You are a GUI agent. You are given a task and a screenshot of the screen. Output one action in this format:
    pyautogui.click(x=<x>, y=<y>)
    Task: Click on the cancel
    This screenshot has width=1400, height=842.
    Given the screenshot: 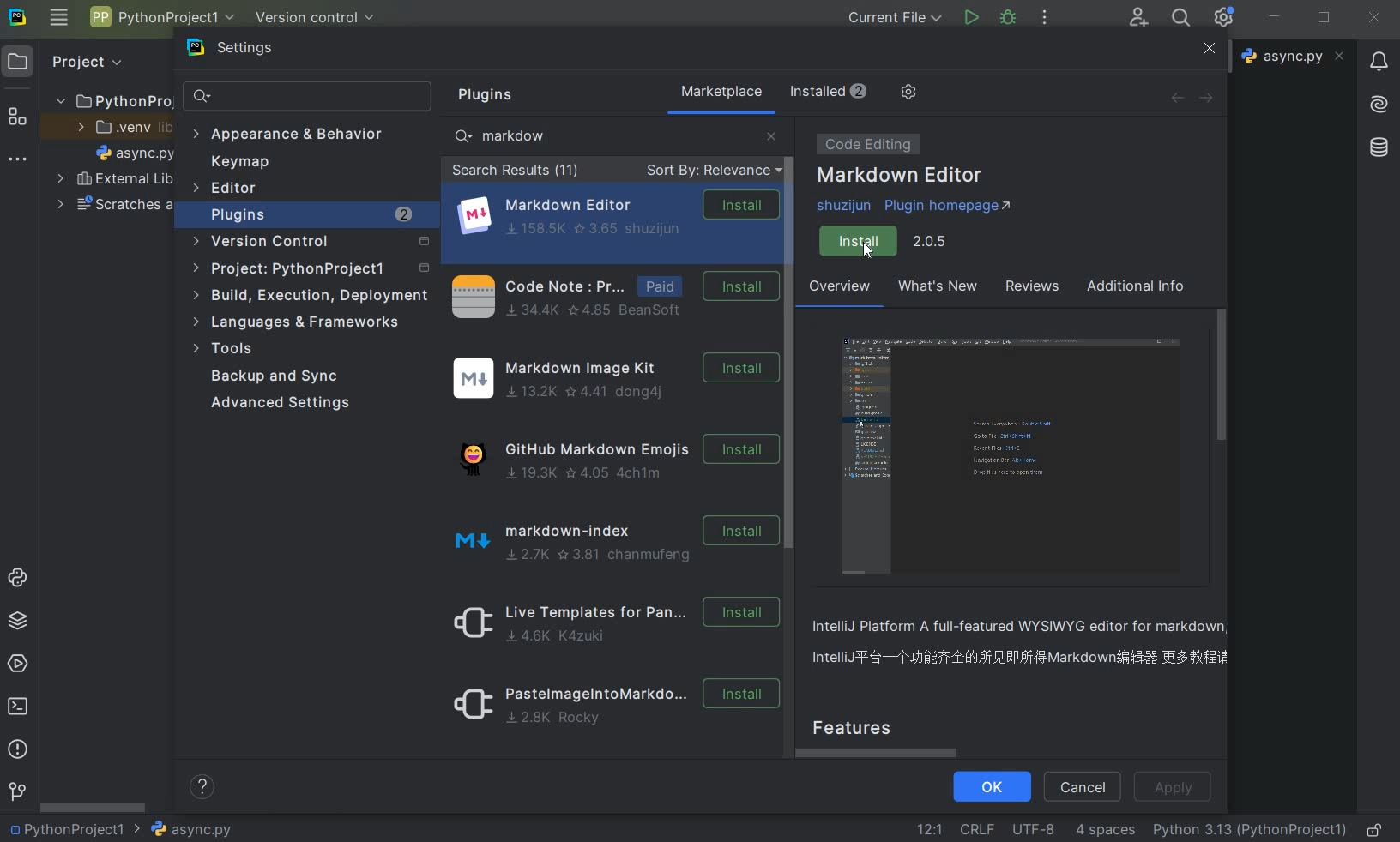 What is the action you would take?
    pyautogui.click(x=1082, y=788)
    